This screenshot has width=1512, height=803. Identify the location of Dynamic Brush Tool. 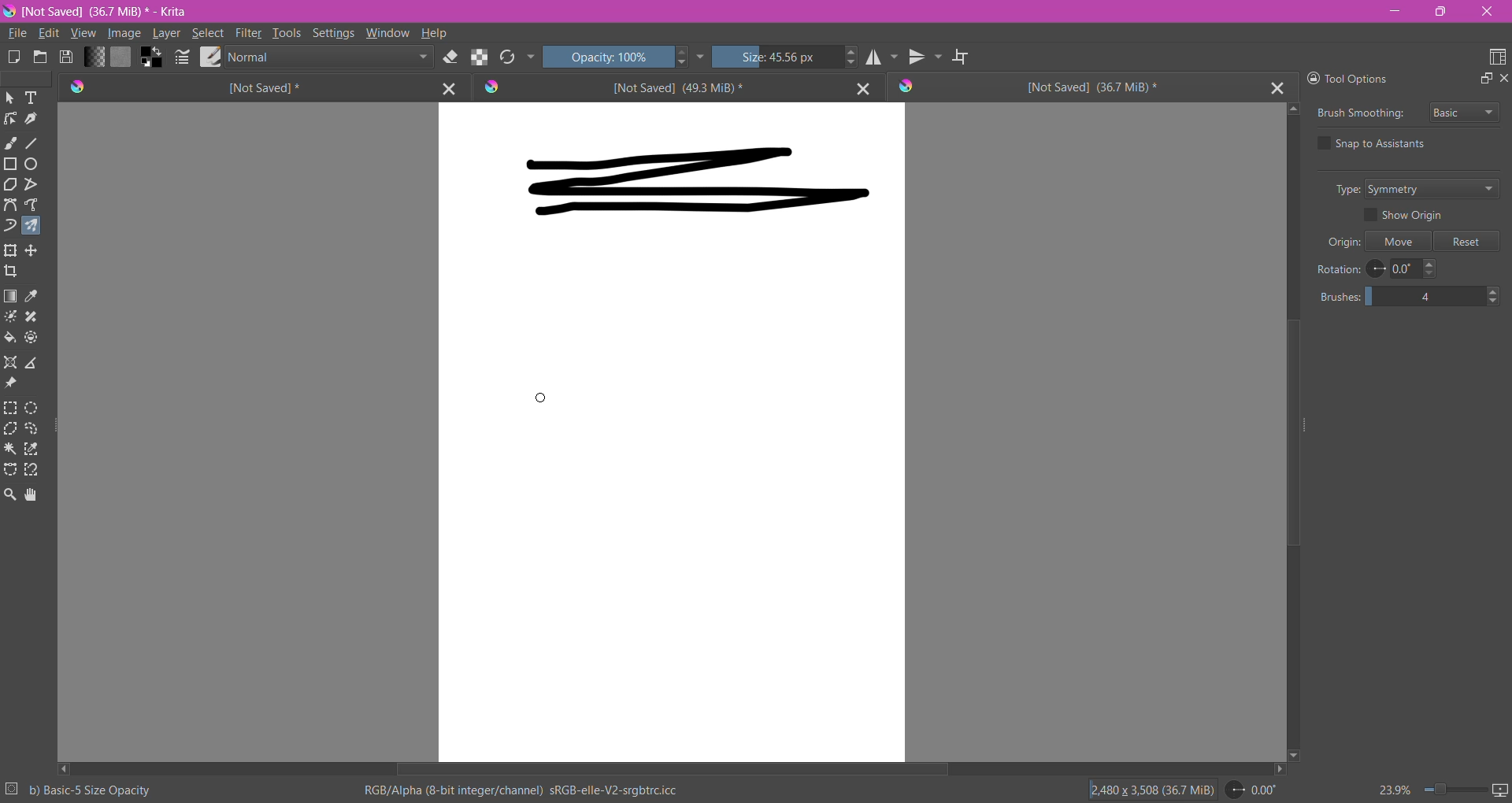
(10, 224).